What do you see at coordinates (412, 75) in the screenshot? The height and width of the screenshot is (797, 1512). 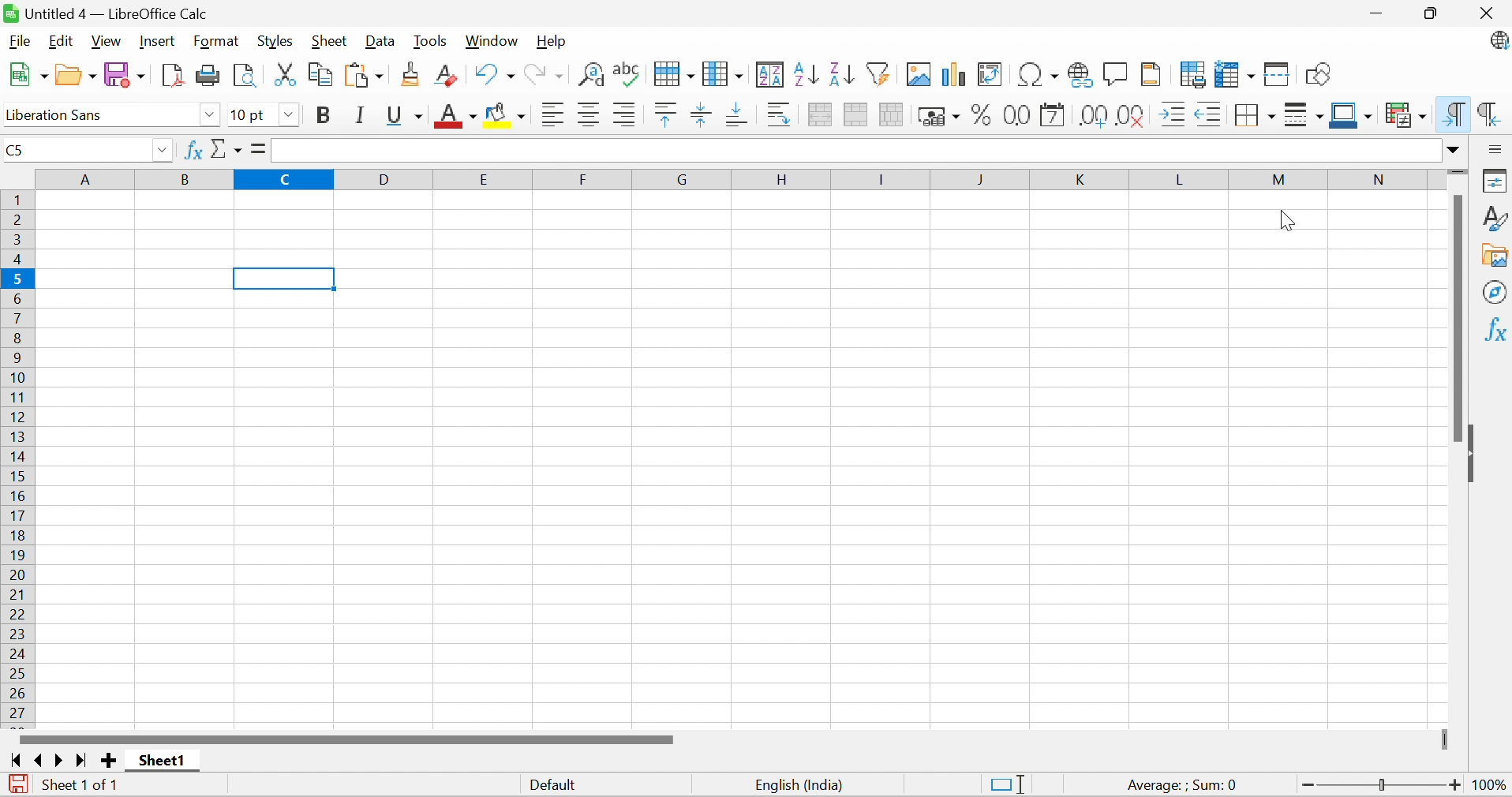 I see `Cone formatting` at bounding box center [412, 75].